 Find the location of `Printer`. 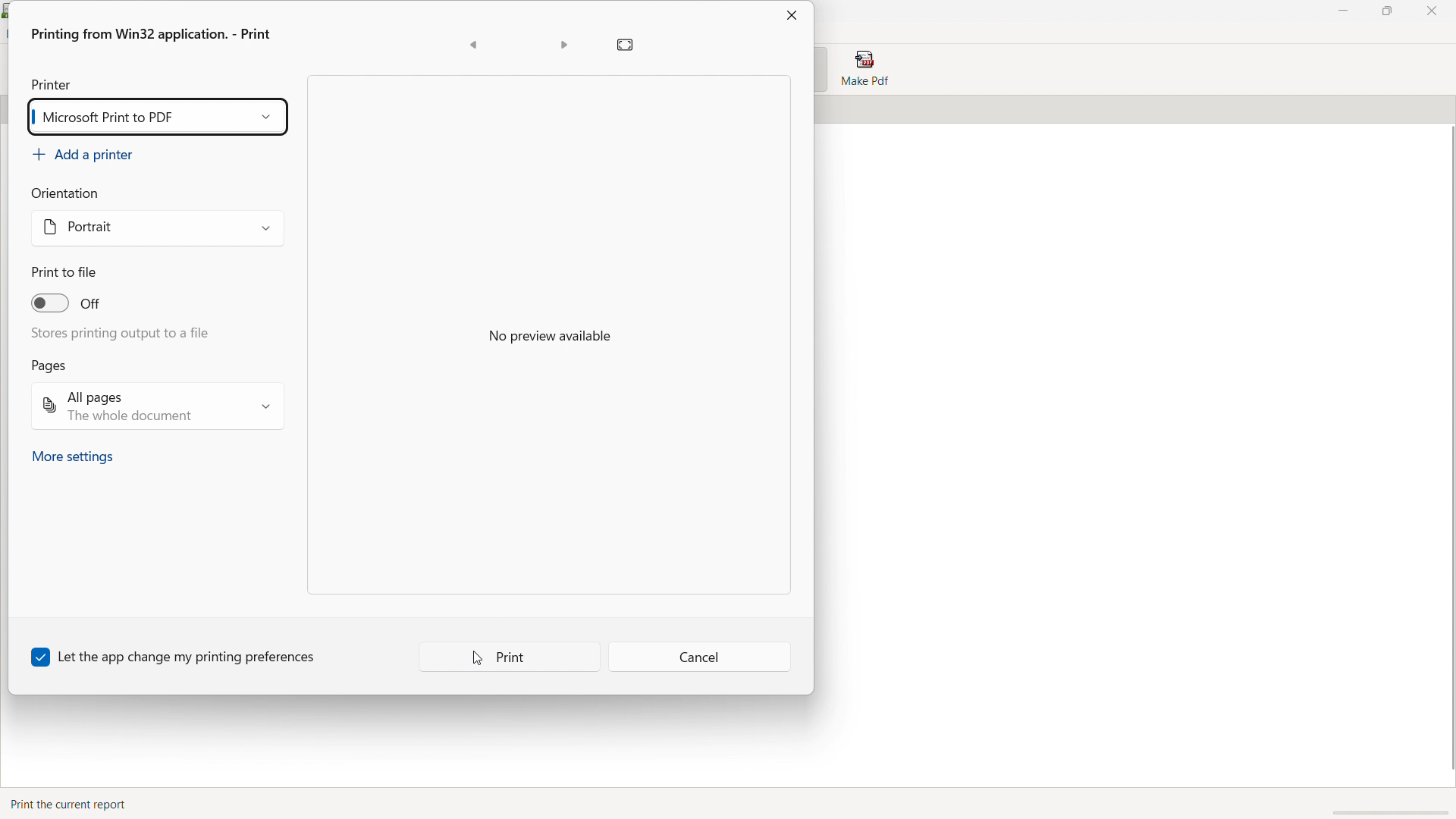

Printer is located at coordinates (51, 83).